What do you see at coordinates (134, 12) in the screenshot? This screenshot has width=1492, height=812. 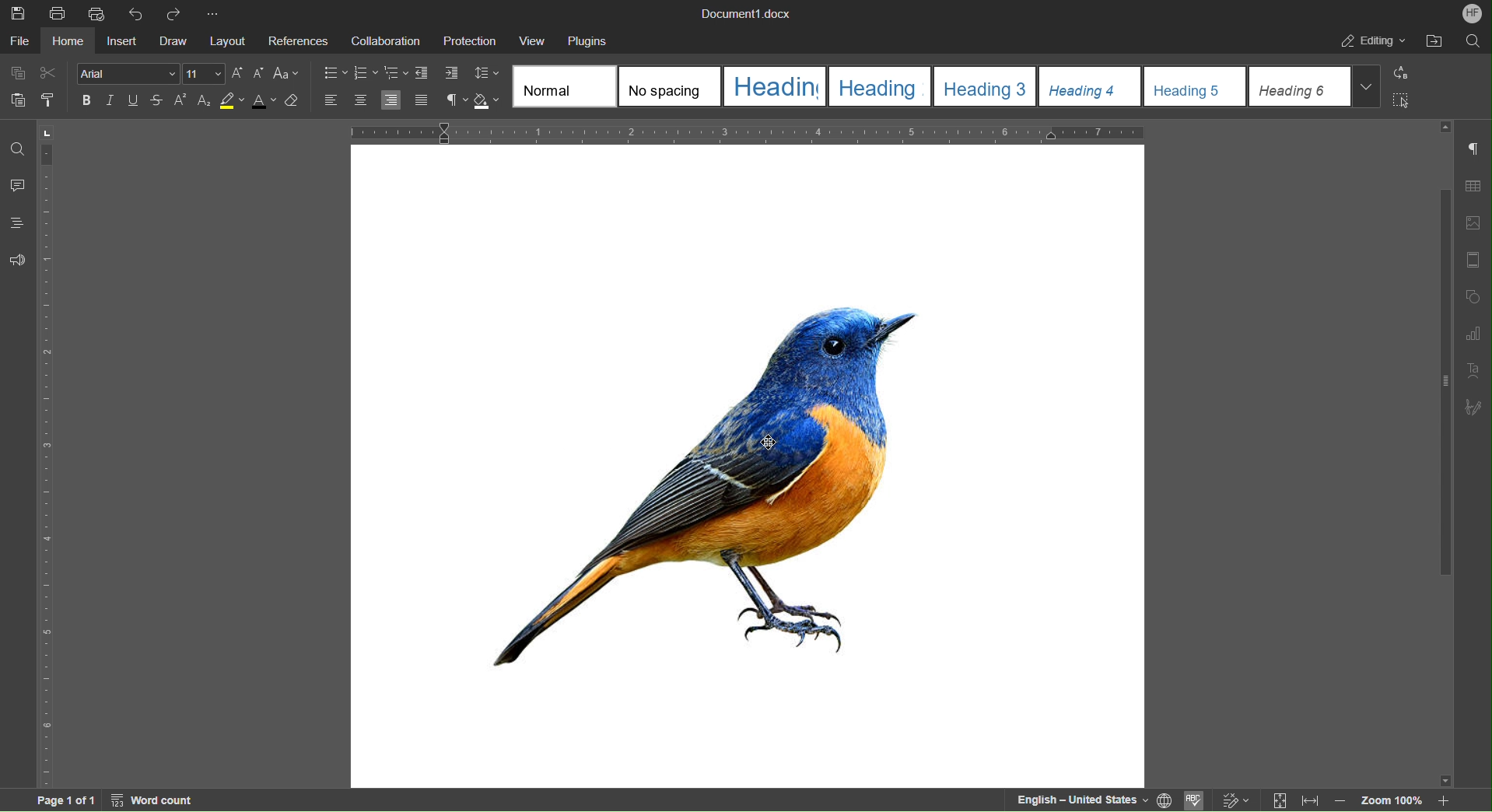 I see `Undo` at bounding box center [134, 12].